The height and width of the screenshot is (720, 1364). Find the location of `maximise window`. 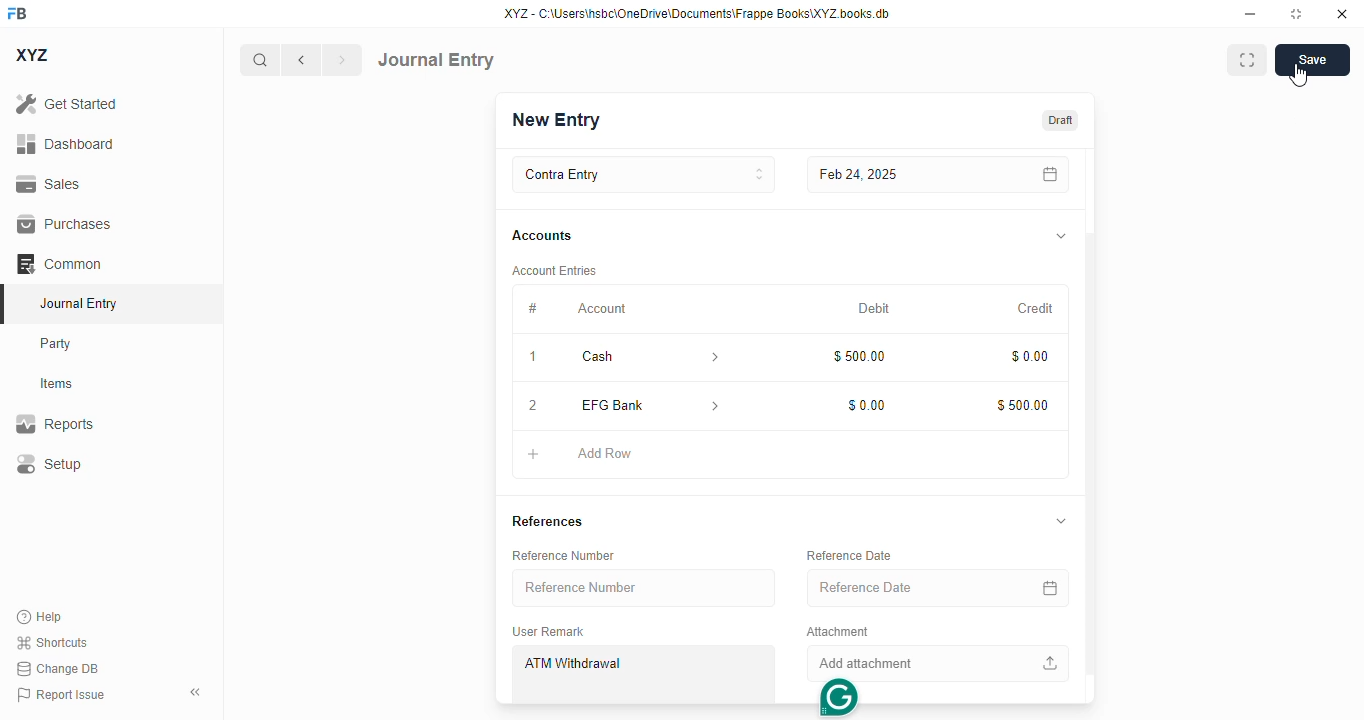

maximise window is located at coordinates (1247, 60).